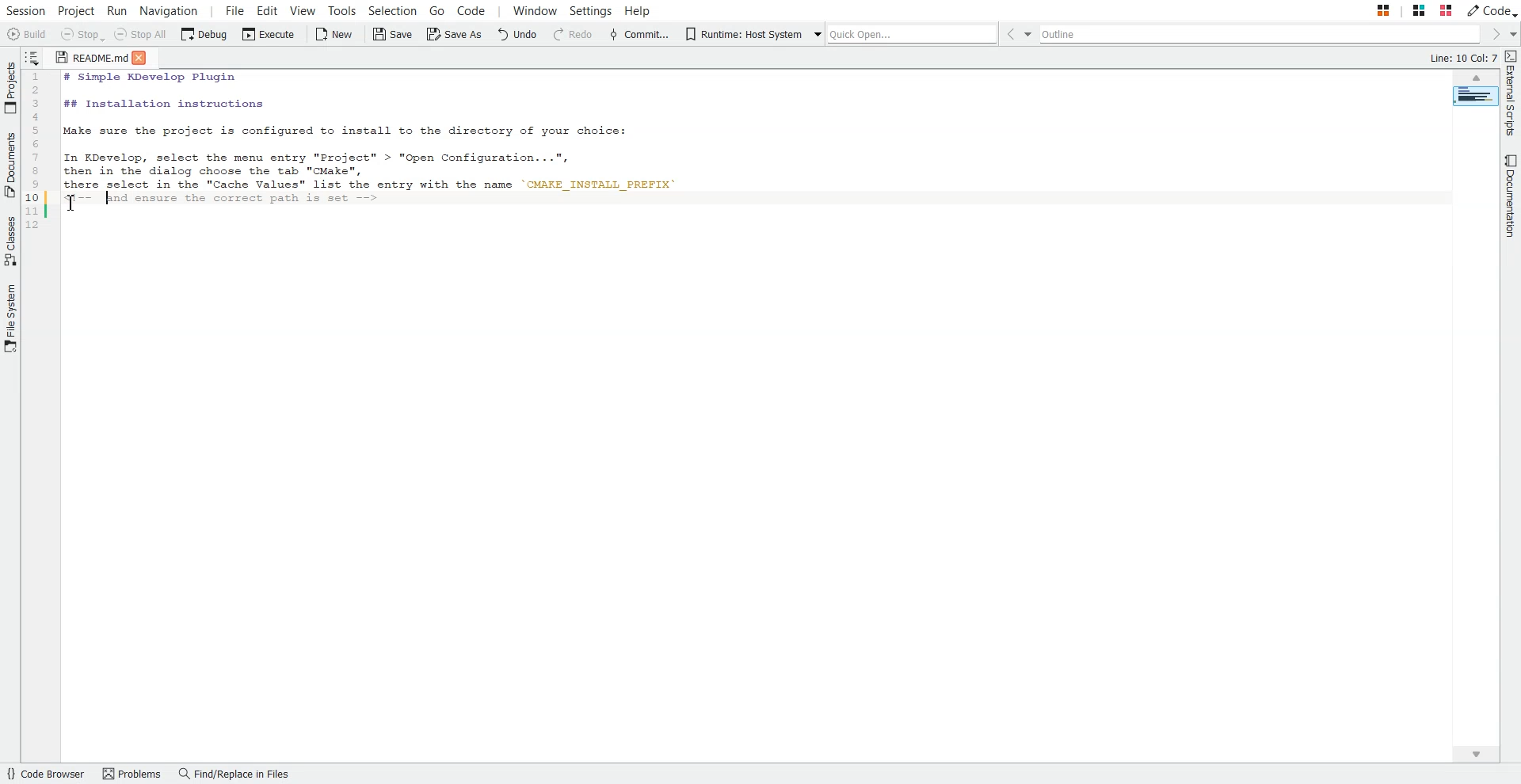 The image size is (1521, 784). I want to click on --> (commenting the text), so click(372, 200).